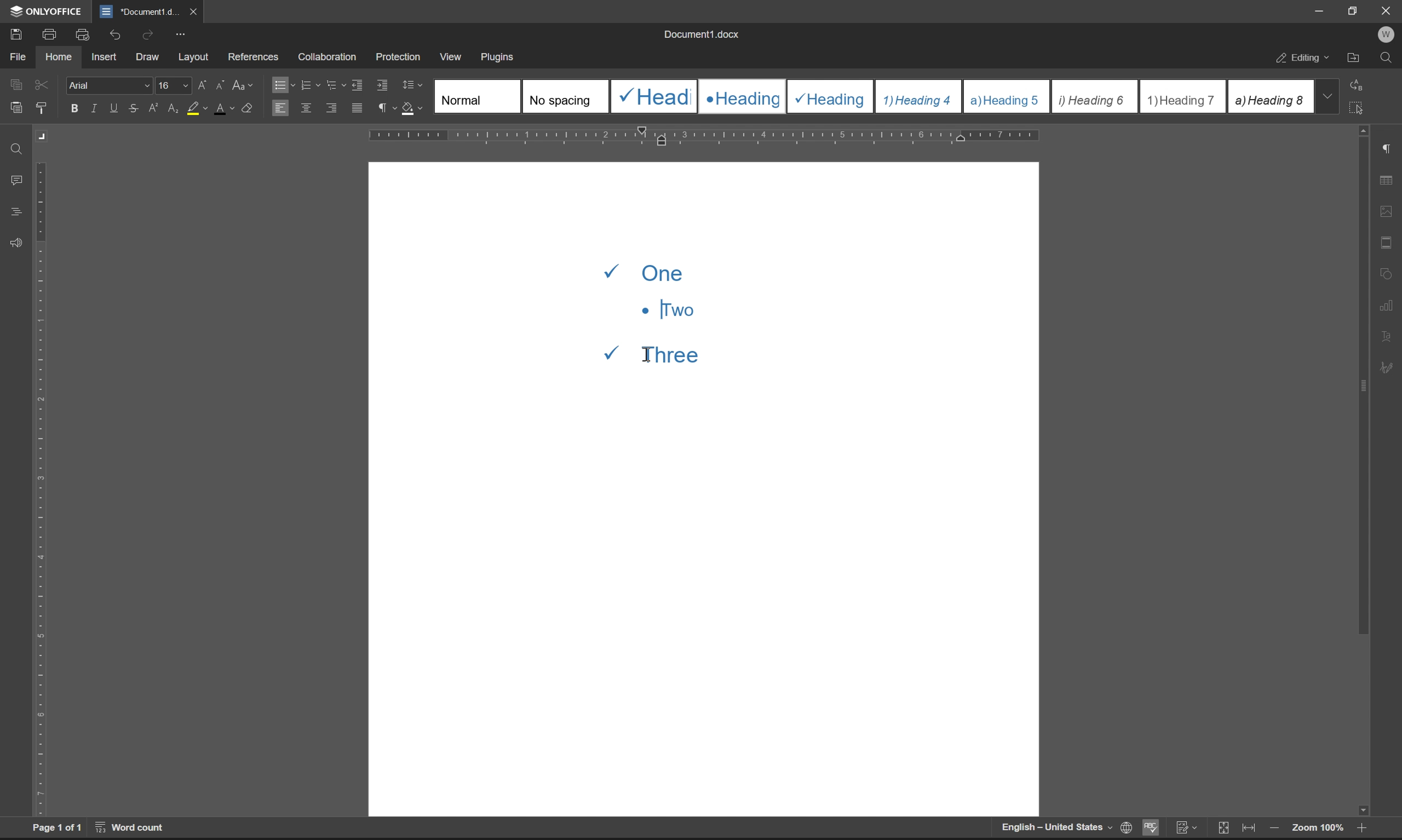  What do you see at coordinates (244, 84) in the screenshot?
I see `change case` at bounding box center [244, 84].